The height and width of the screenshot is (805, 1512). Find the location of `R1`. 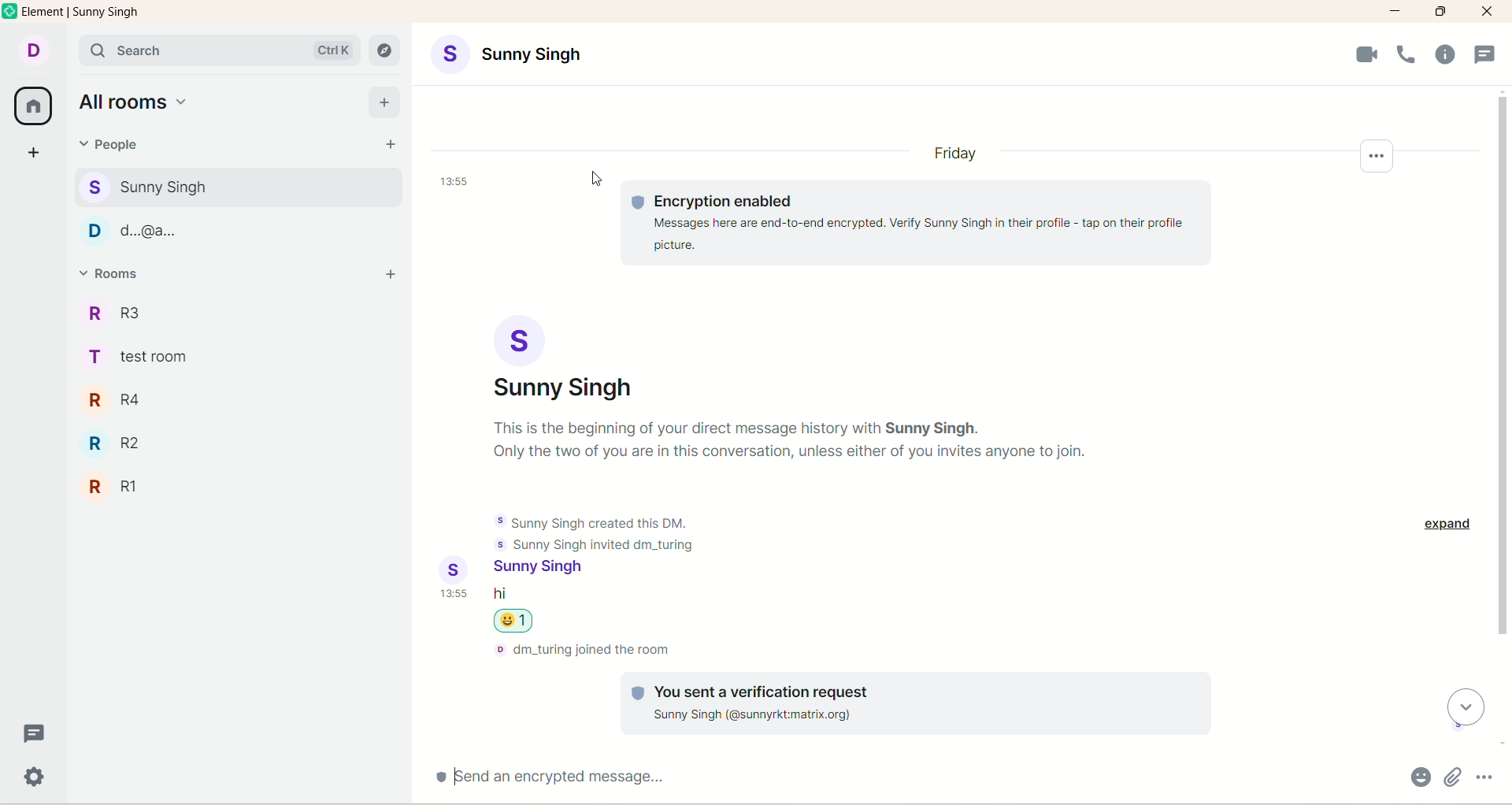

R1 is located at coordinates (139, 488).